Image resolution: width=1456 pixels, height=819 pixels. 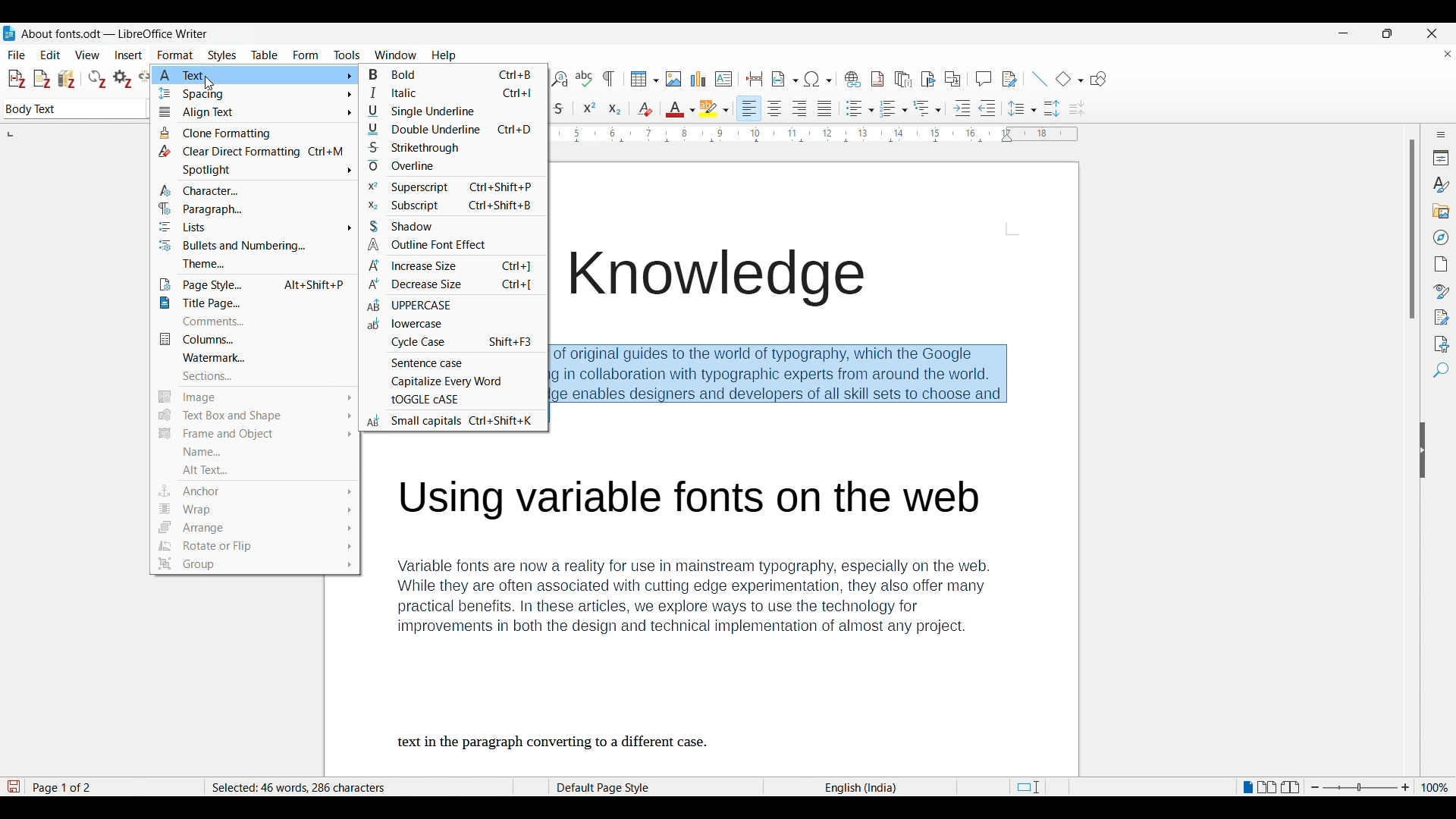 What do you see at coordinates (903, 80) in the screenshot?
I see `Insert endnote` at bounding box center [903, 80].